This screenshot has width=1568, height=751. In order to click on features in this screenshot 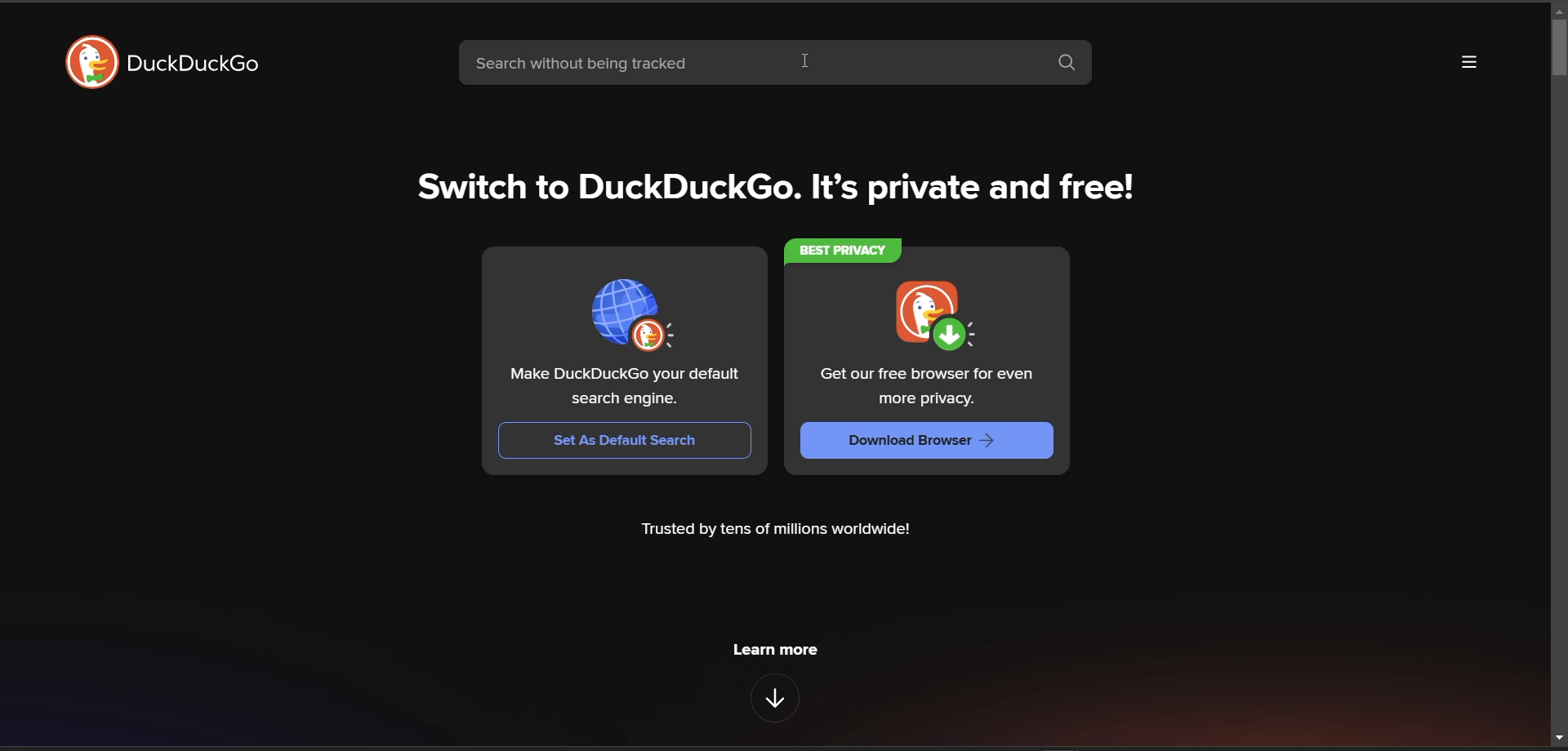, I will do `click(773, 698)`.